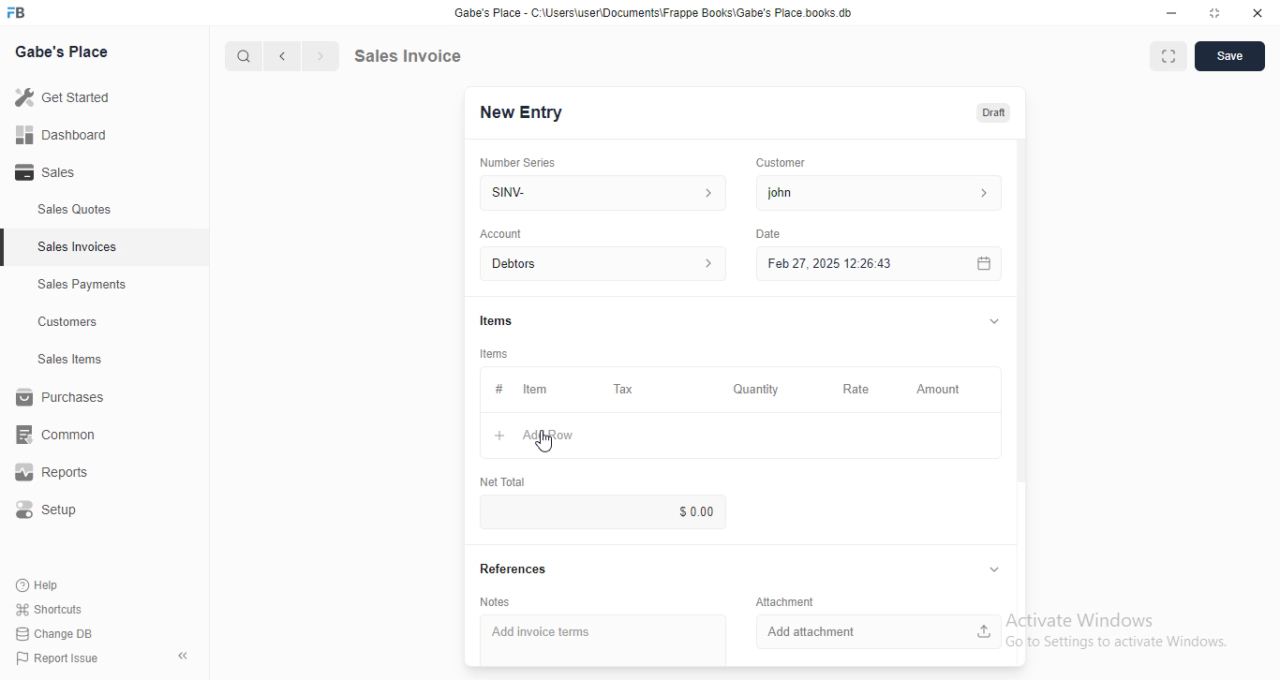 This screenshot has width=1280, height=680. Describe the element at coordinates (242, 53) in the screenshot. I see `Search` at that location.